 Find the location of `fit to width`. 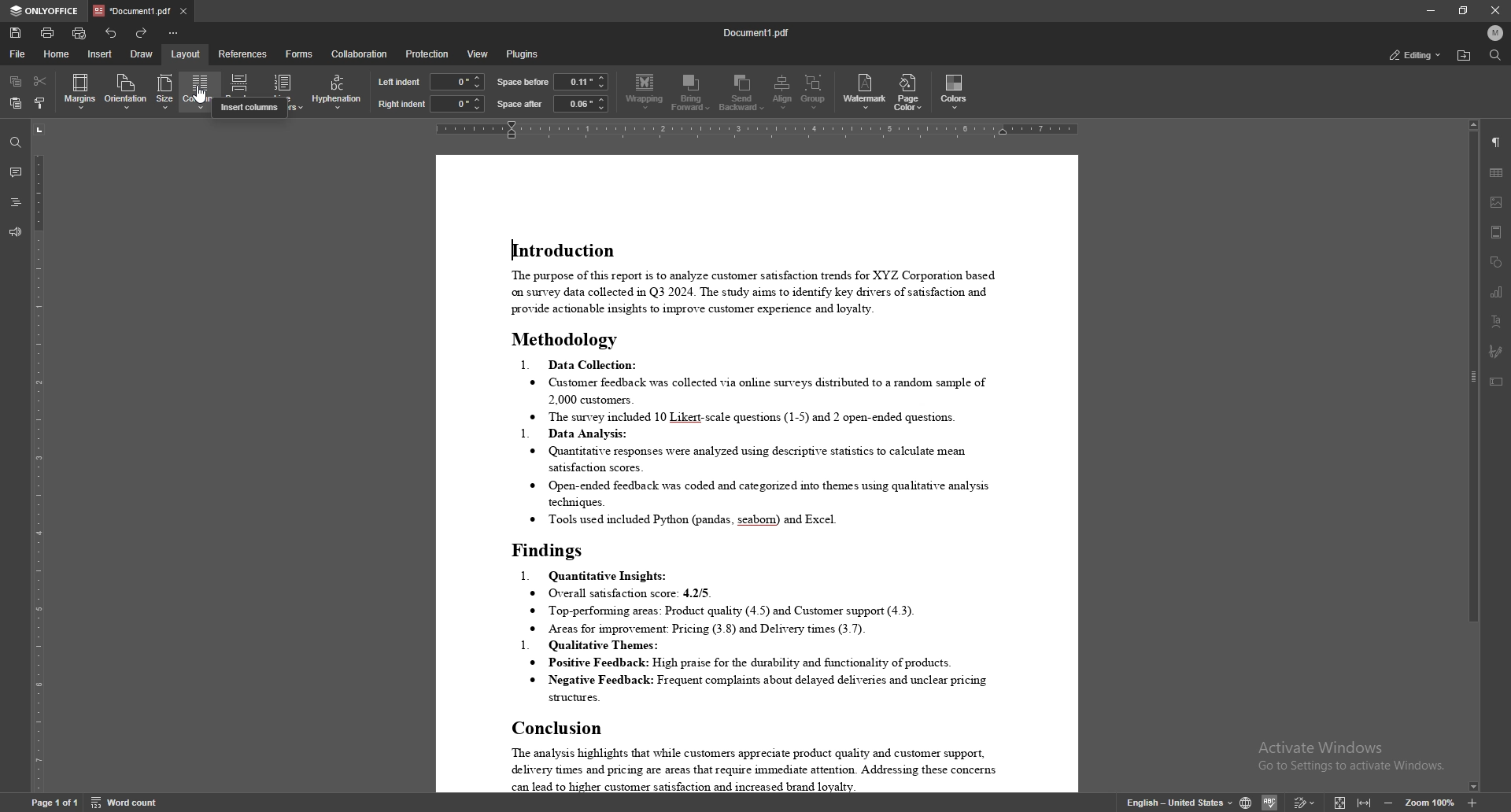

fit to width is located at coordinates (1366, 802).